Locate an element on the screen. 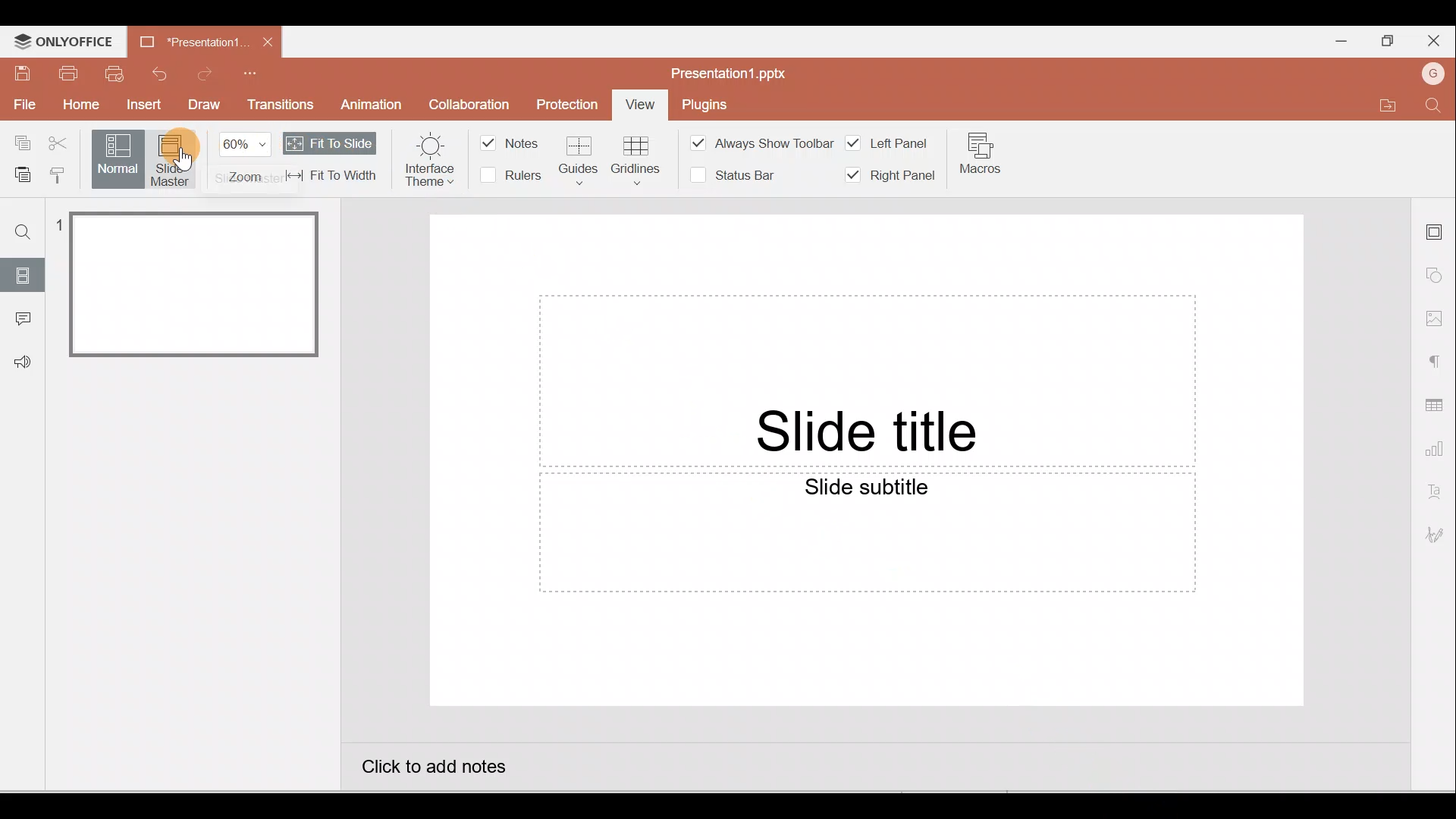  Document name is located at coordinates (729, 70).